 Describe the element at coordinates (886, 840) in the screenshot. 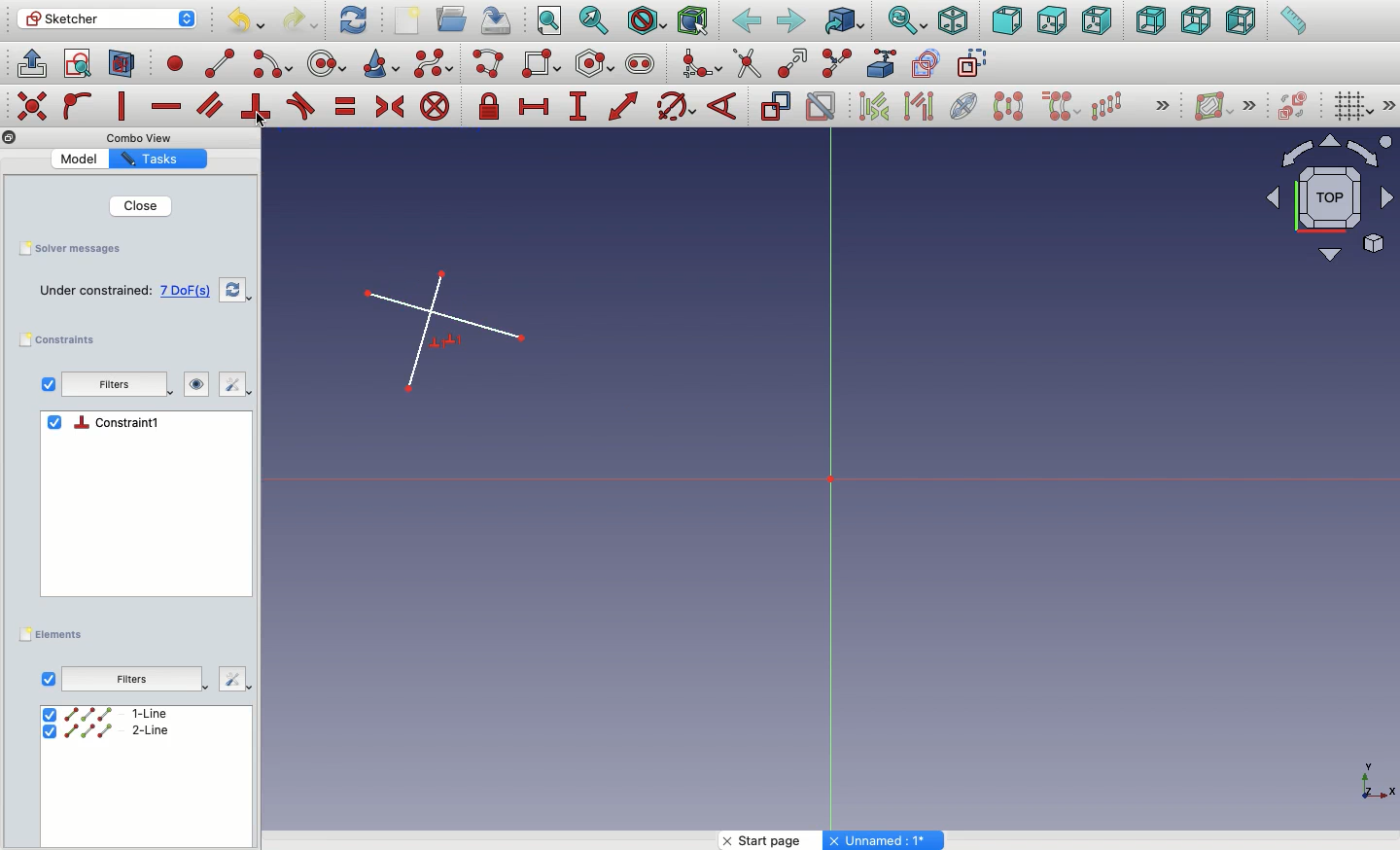

I see `` at that location.